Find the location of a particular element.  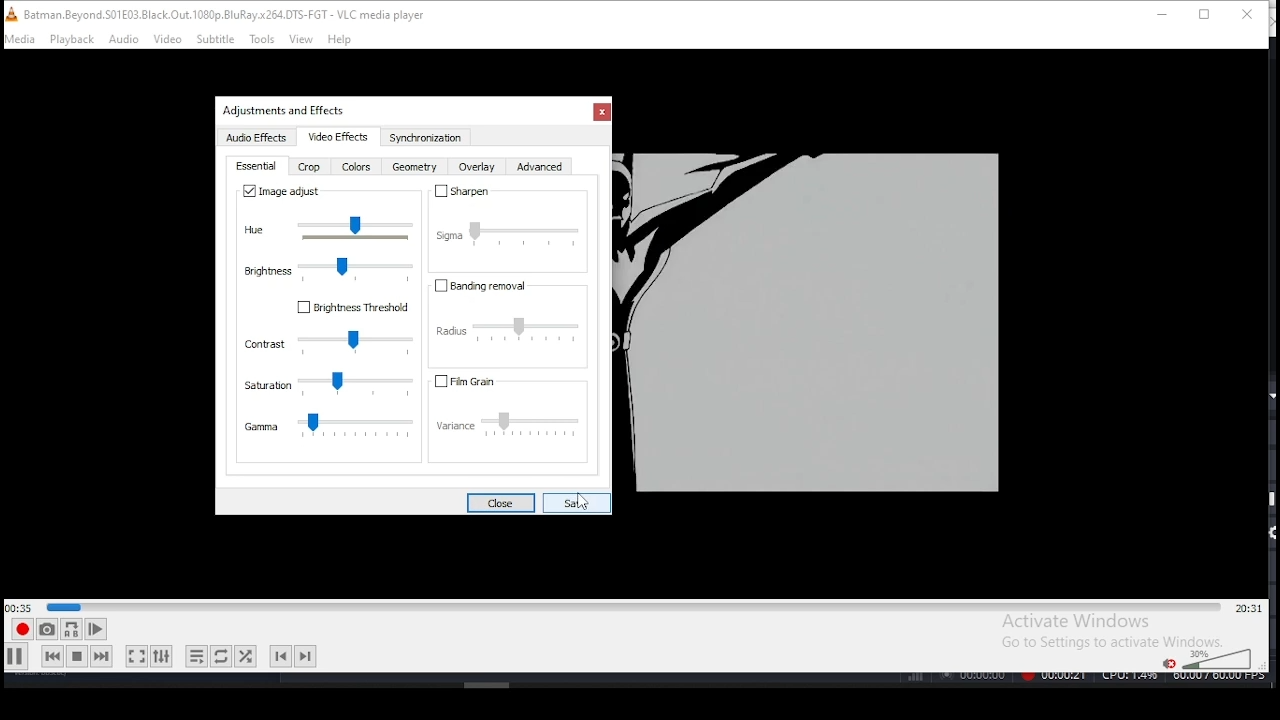

image adjust on/off is located at coordinates (284, 192).